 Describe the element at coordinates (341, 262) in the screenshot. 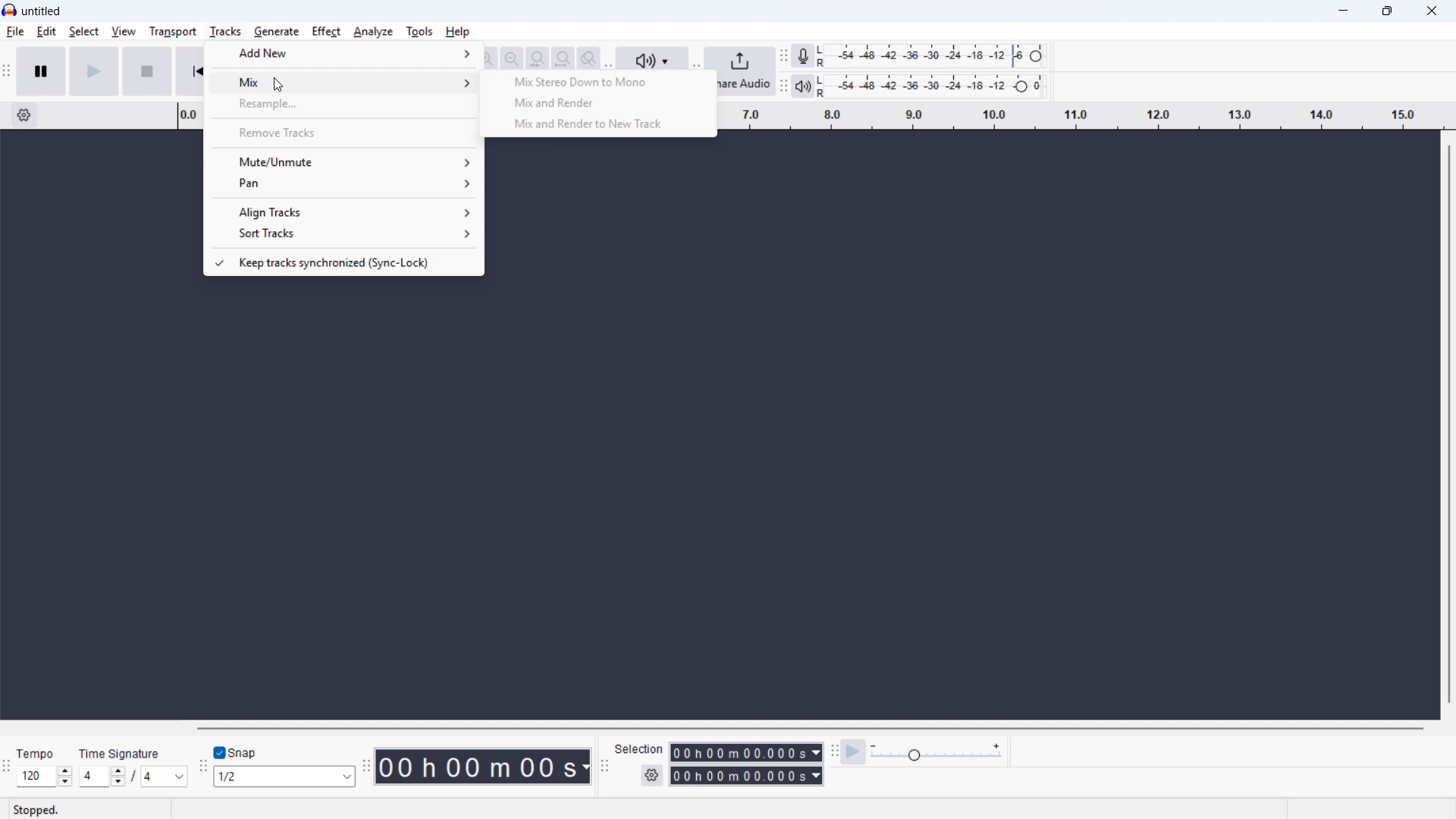

I see `Keep tracks synchronised ` at that location.